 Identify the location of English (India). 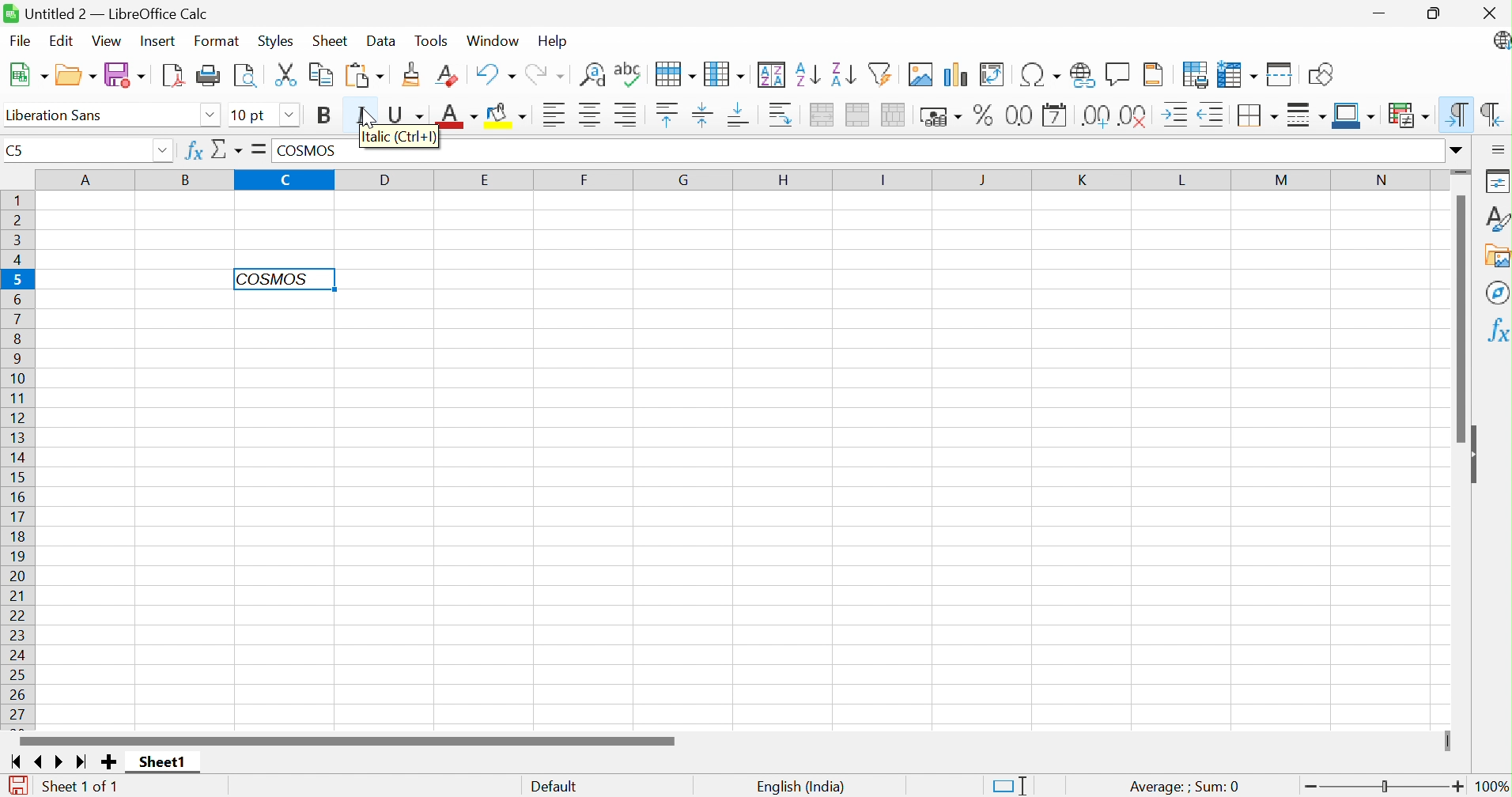
(799, 786).